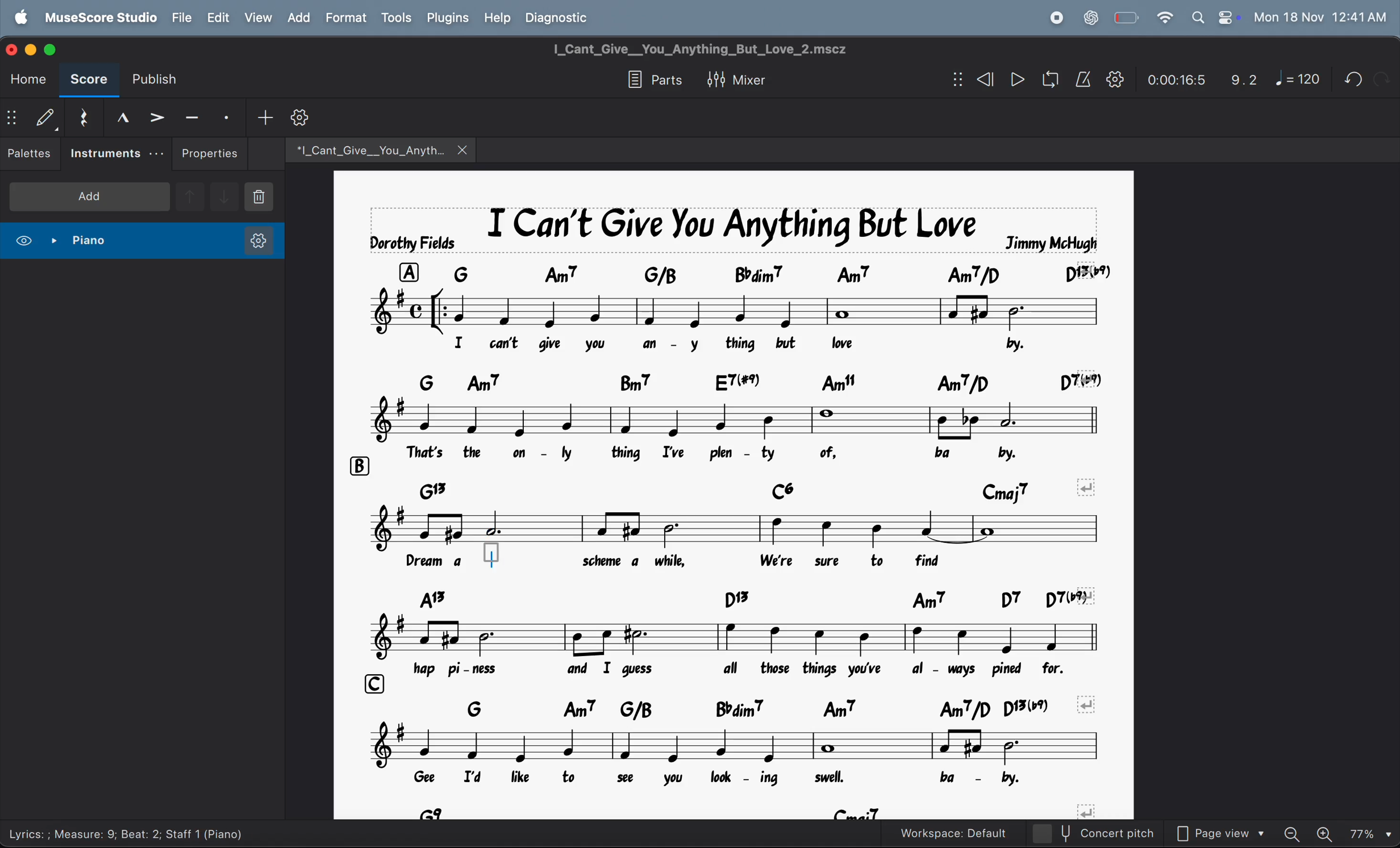 The image size is (1400, 848). Describe the element at coordinates (153, 114) in the screenshot. I see `accent` at that location.